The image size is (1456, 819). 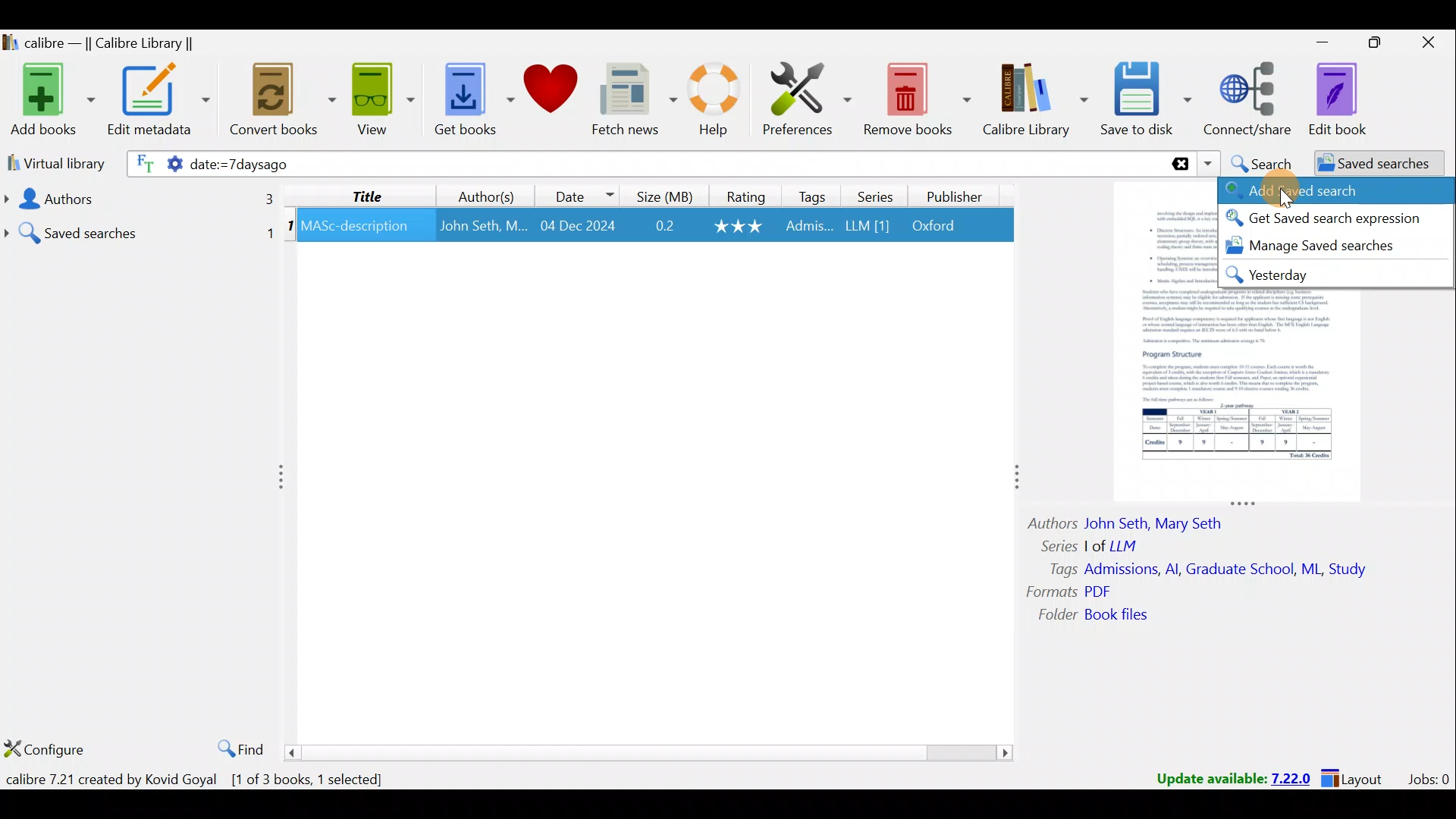 What do you see at coordinates (1368, 45) in the screenshot?
I see `Maximize` at bounding box center [1368, 45].